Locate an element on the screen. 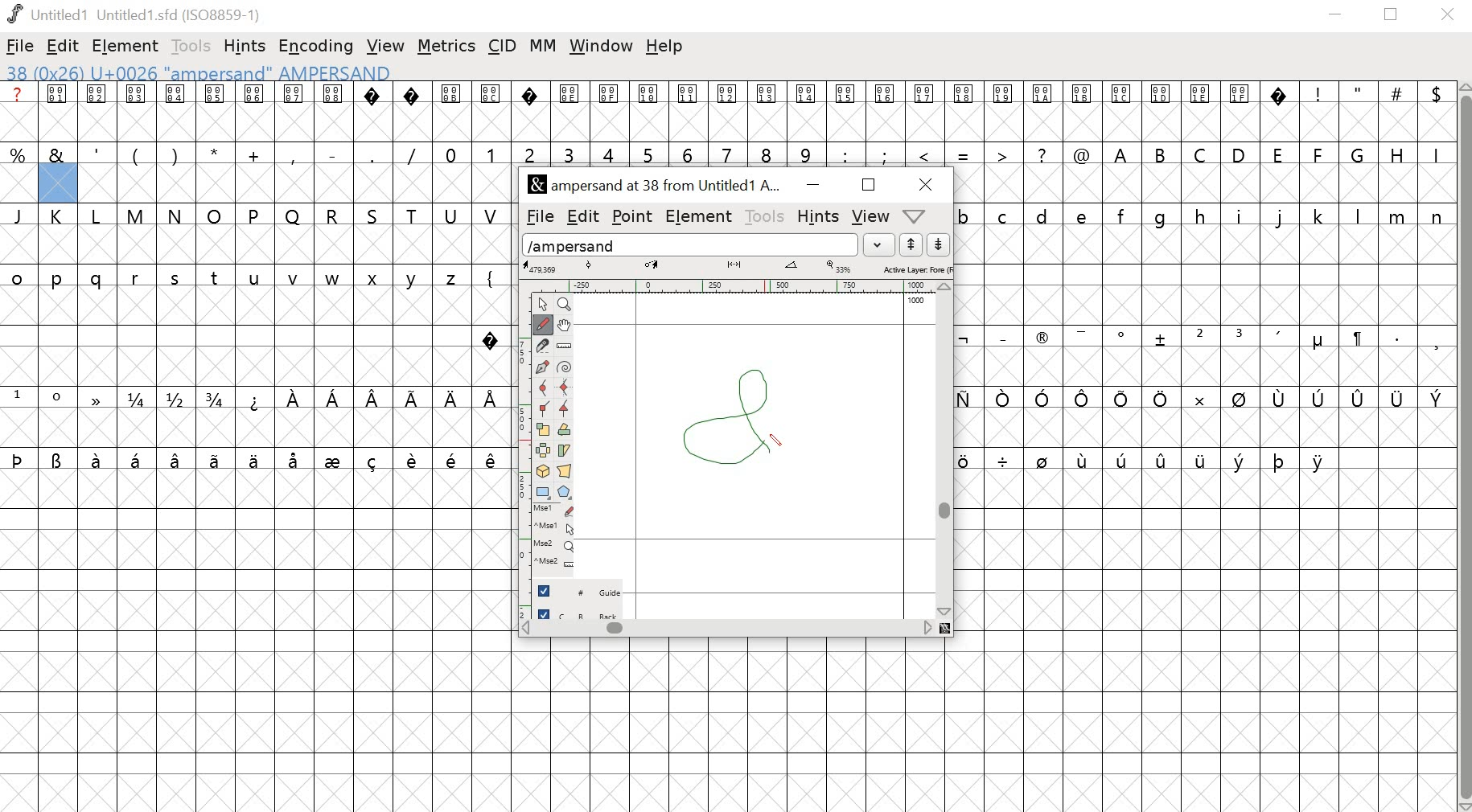  rectangle and ellipse is located at coordinates (543, 491).